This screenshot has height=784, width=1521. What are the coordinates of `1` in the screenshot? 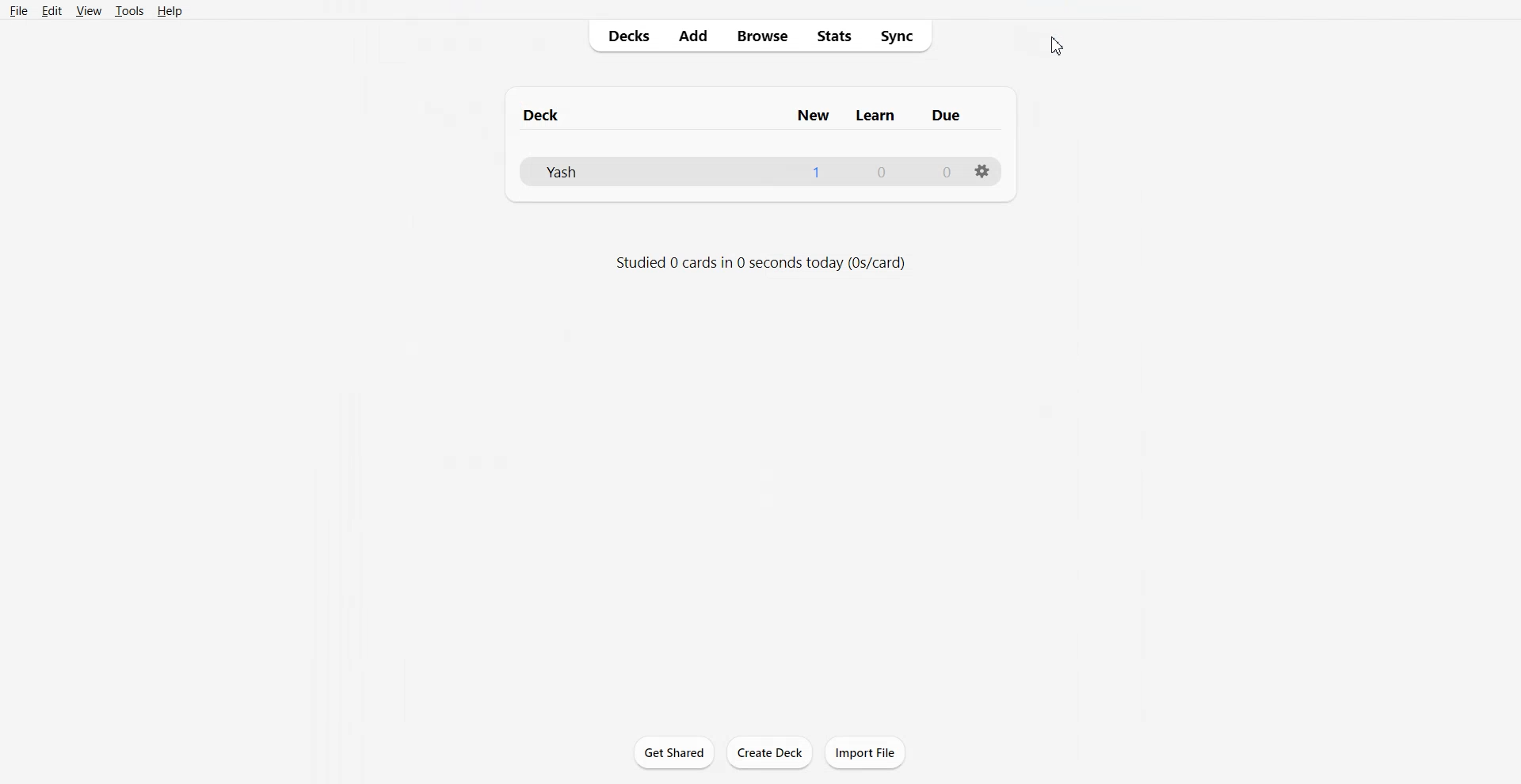 It's located at (818, 173).